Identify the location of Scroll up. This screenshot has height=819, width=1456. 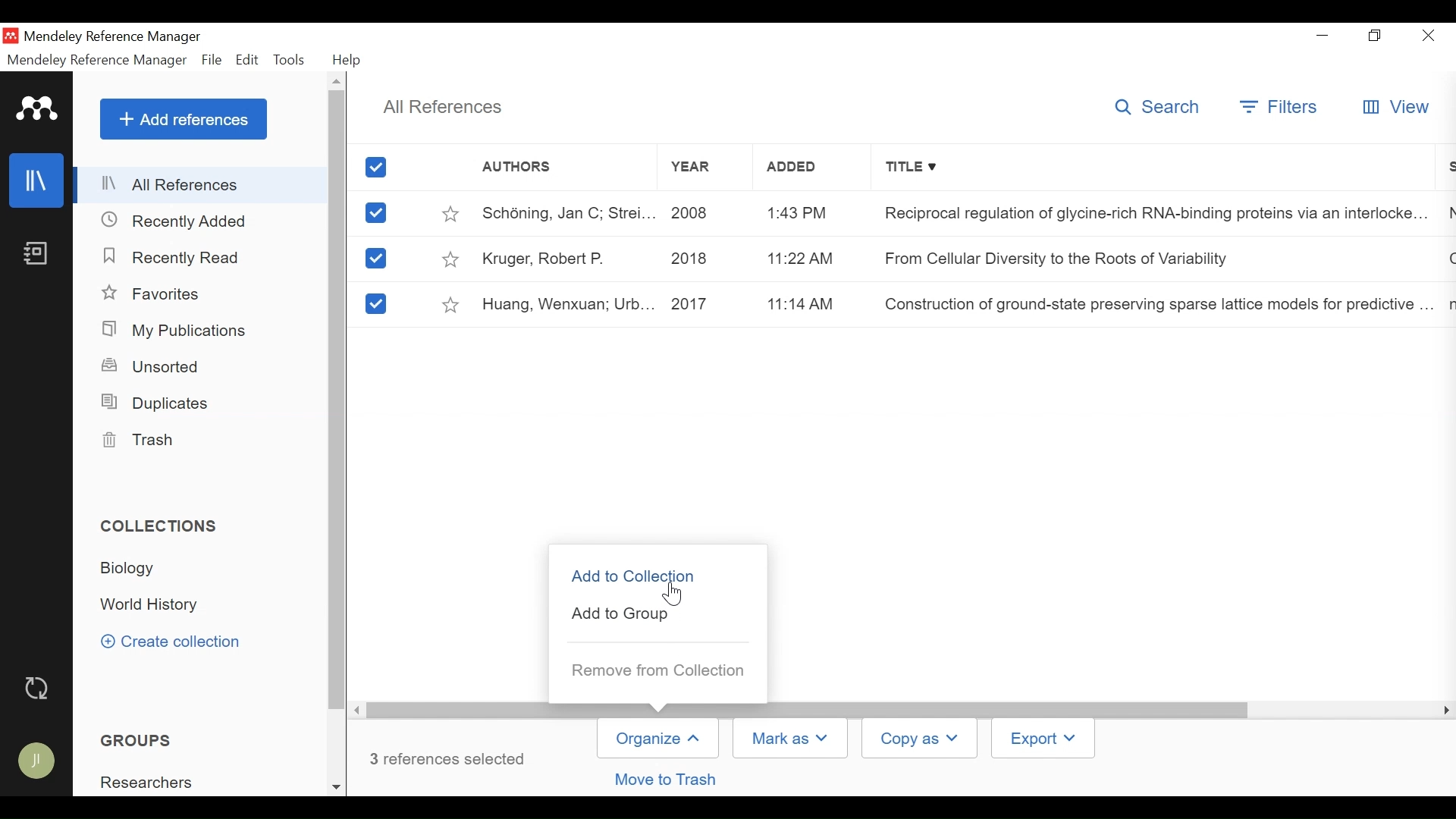
(336, 82).